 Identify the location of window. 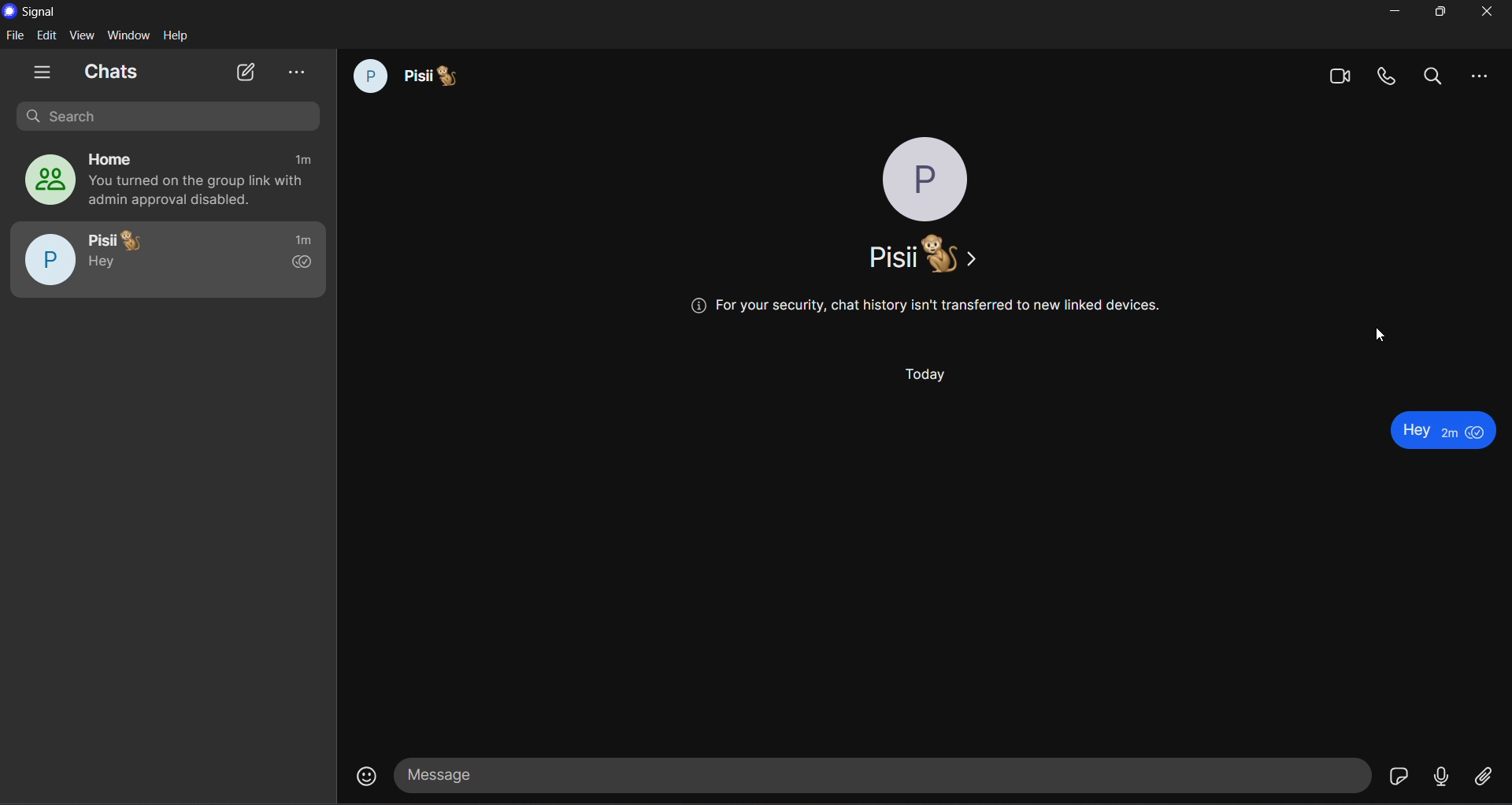
(130, 35).